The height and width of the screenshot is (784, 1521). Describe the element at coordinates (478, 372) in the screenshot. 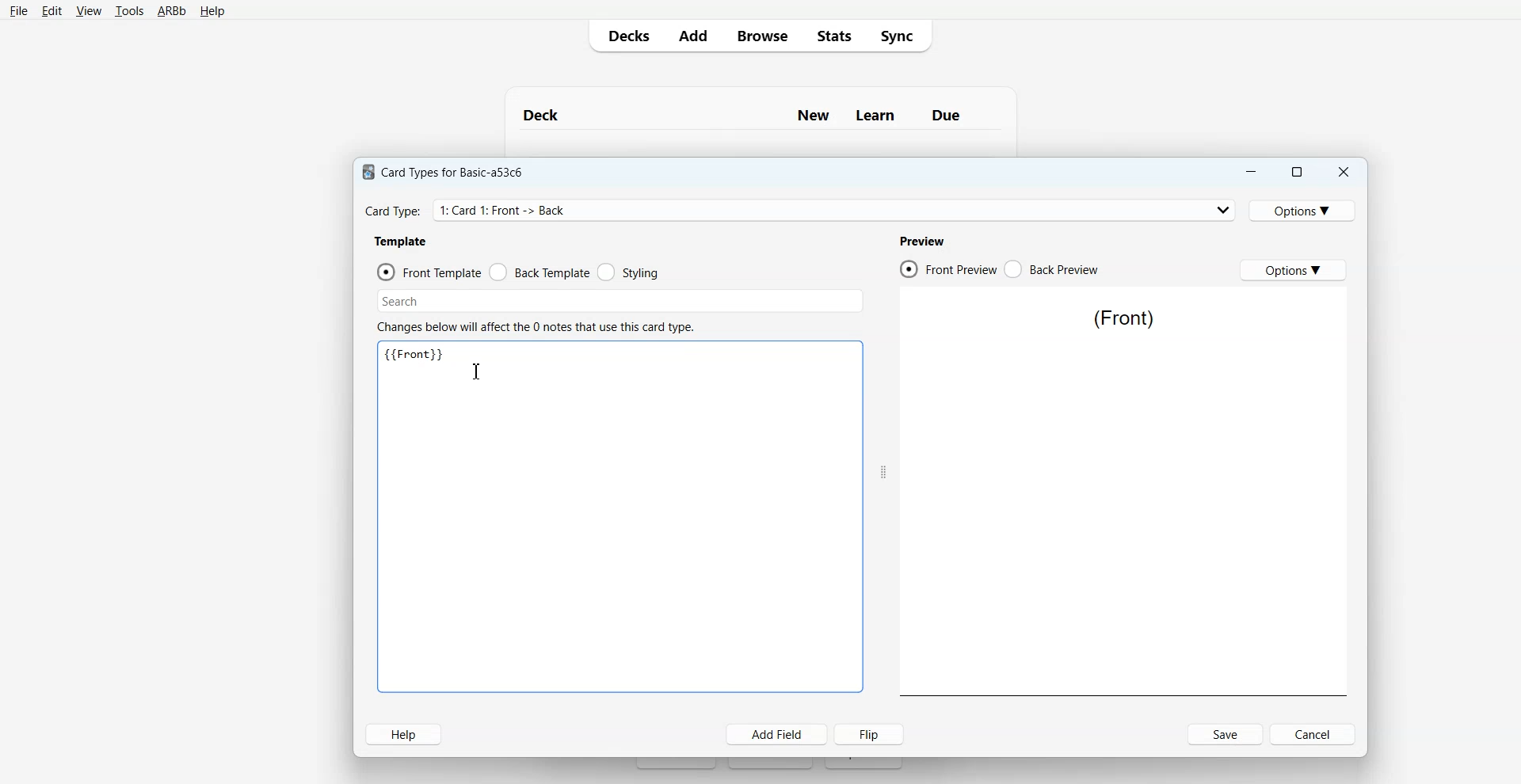

I see `Text Cursor` at that location.